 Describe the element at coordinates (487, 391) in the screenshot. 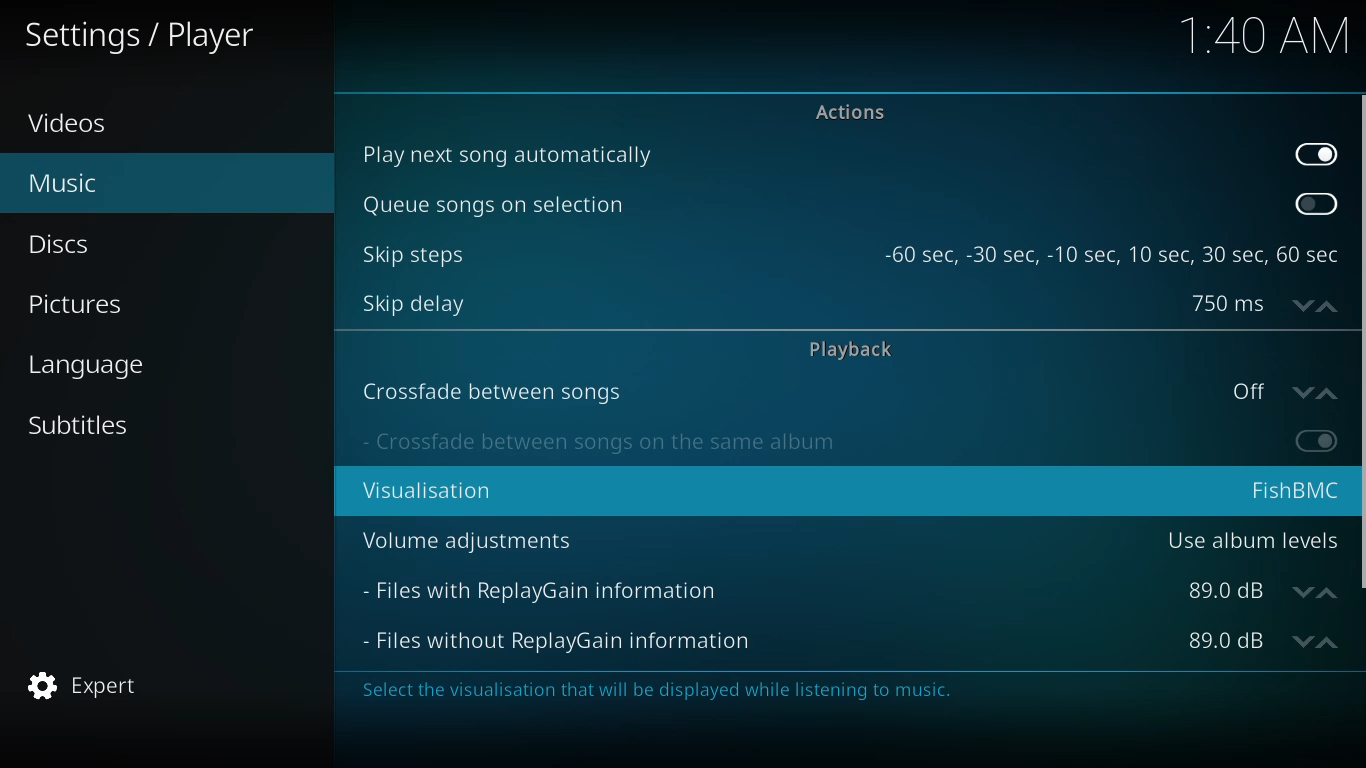

I see `crossfade between songs` at that location.